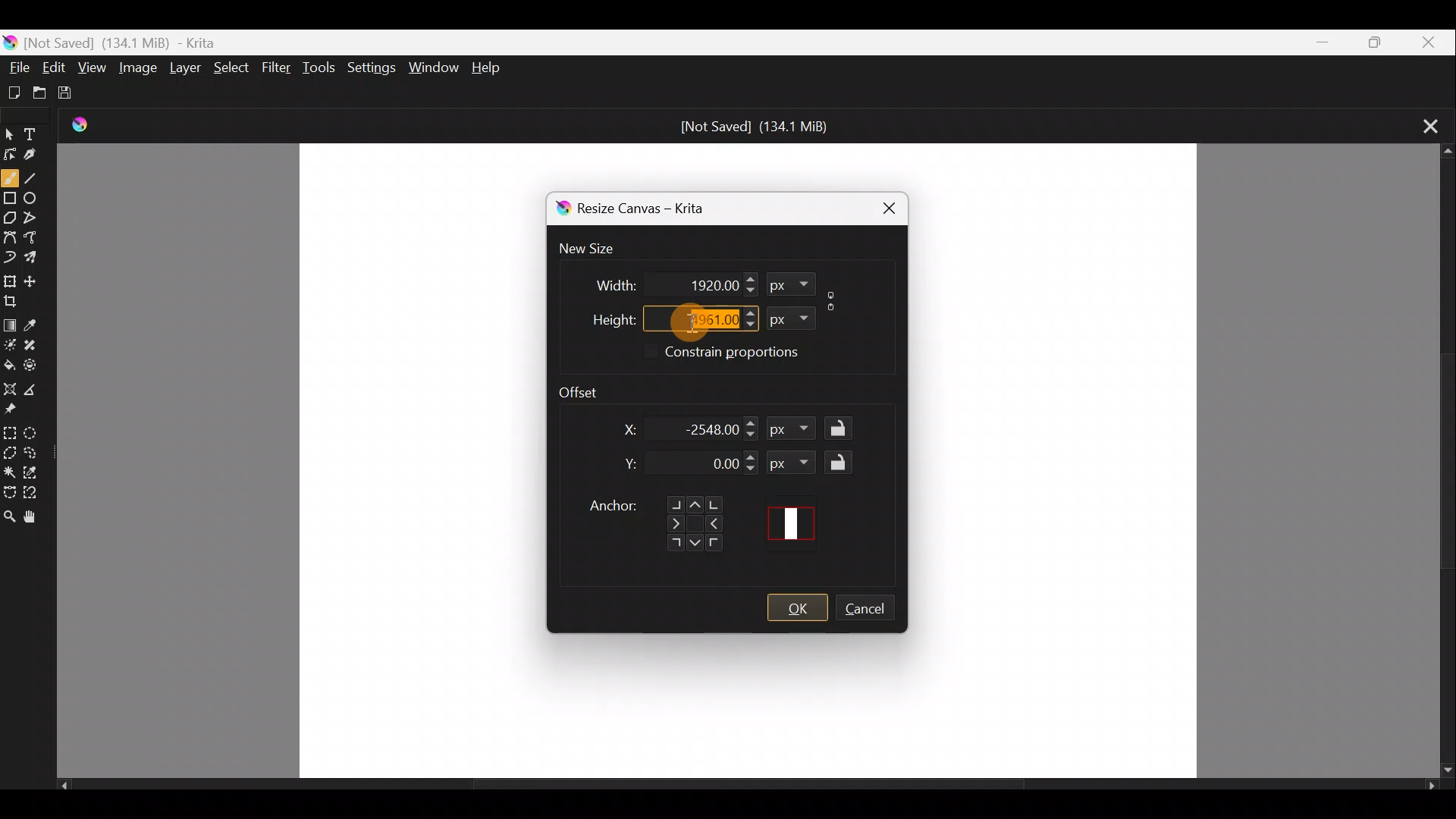 Image resolution: width=1456 pixels, height=819 pixels. Describe the element at coordinates (843, 429) in the screenshot. I see `Lock/Unlock` at that location.